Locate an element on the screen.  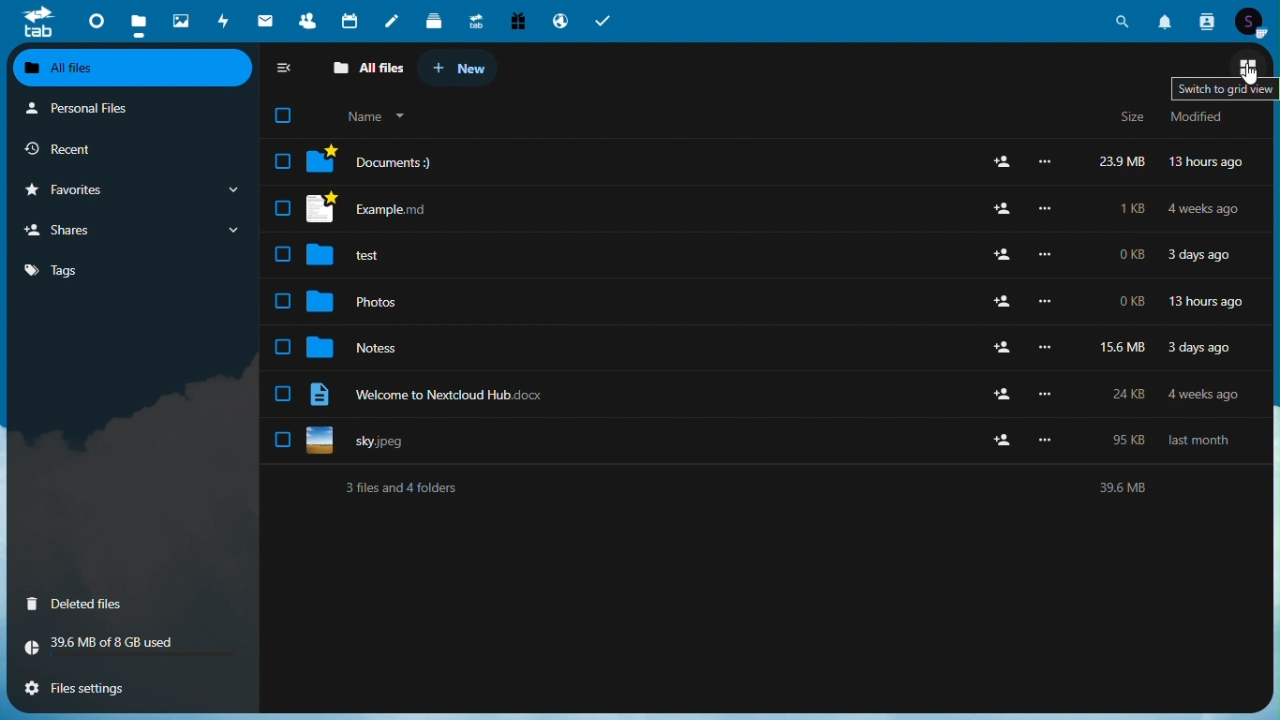
photos is located at coordinates (380, 304).